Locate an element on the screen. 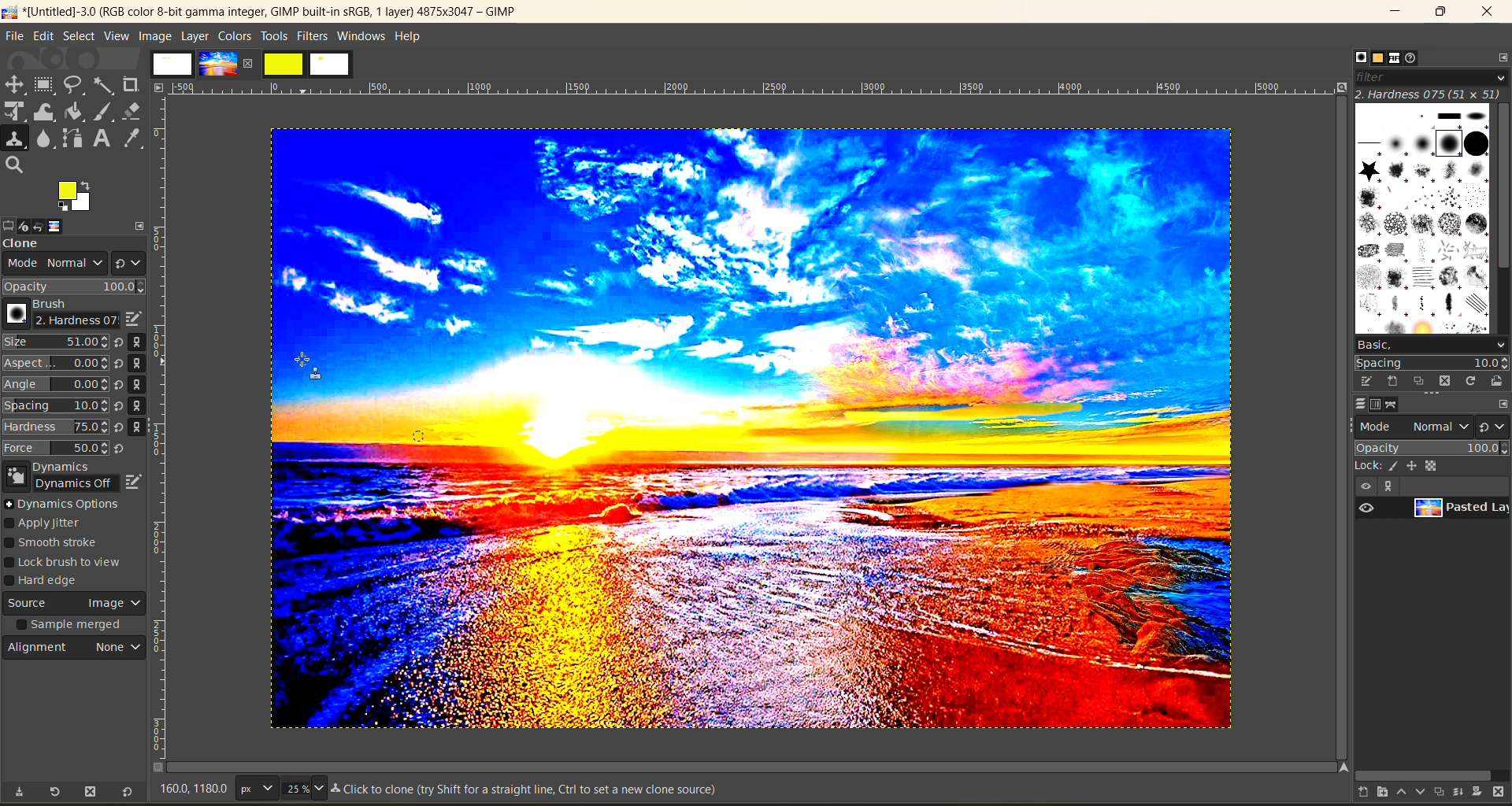 The height and width of the screenshot is (806, 1512). channels is located at coordinates (1378, 405).